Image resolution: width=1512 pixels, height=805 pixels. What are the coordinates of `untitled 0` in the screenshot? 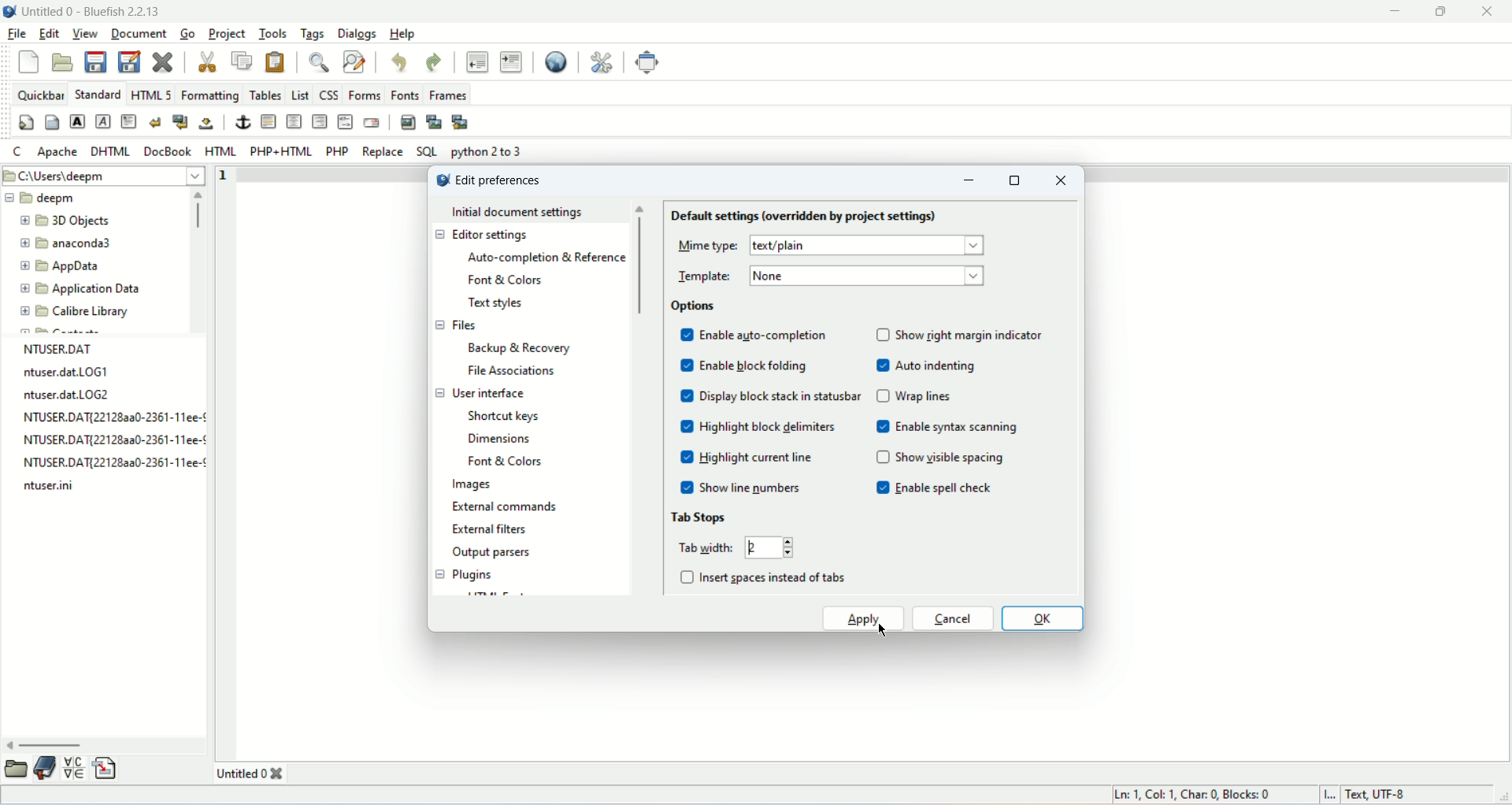 It's located at (249, 774).